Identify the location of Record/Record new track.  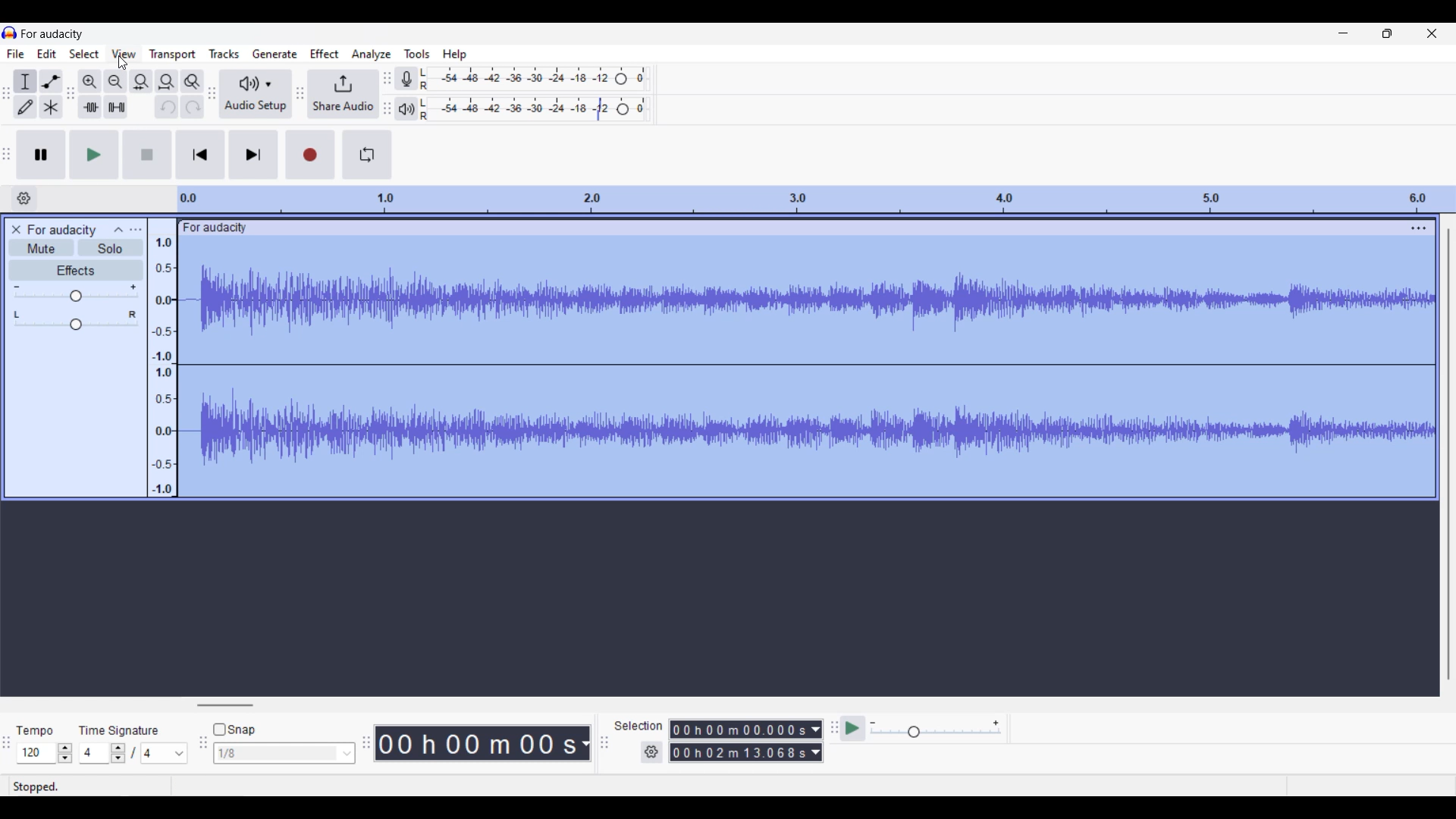
(310, 155).